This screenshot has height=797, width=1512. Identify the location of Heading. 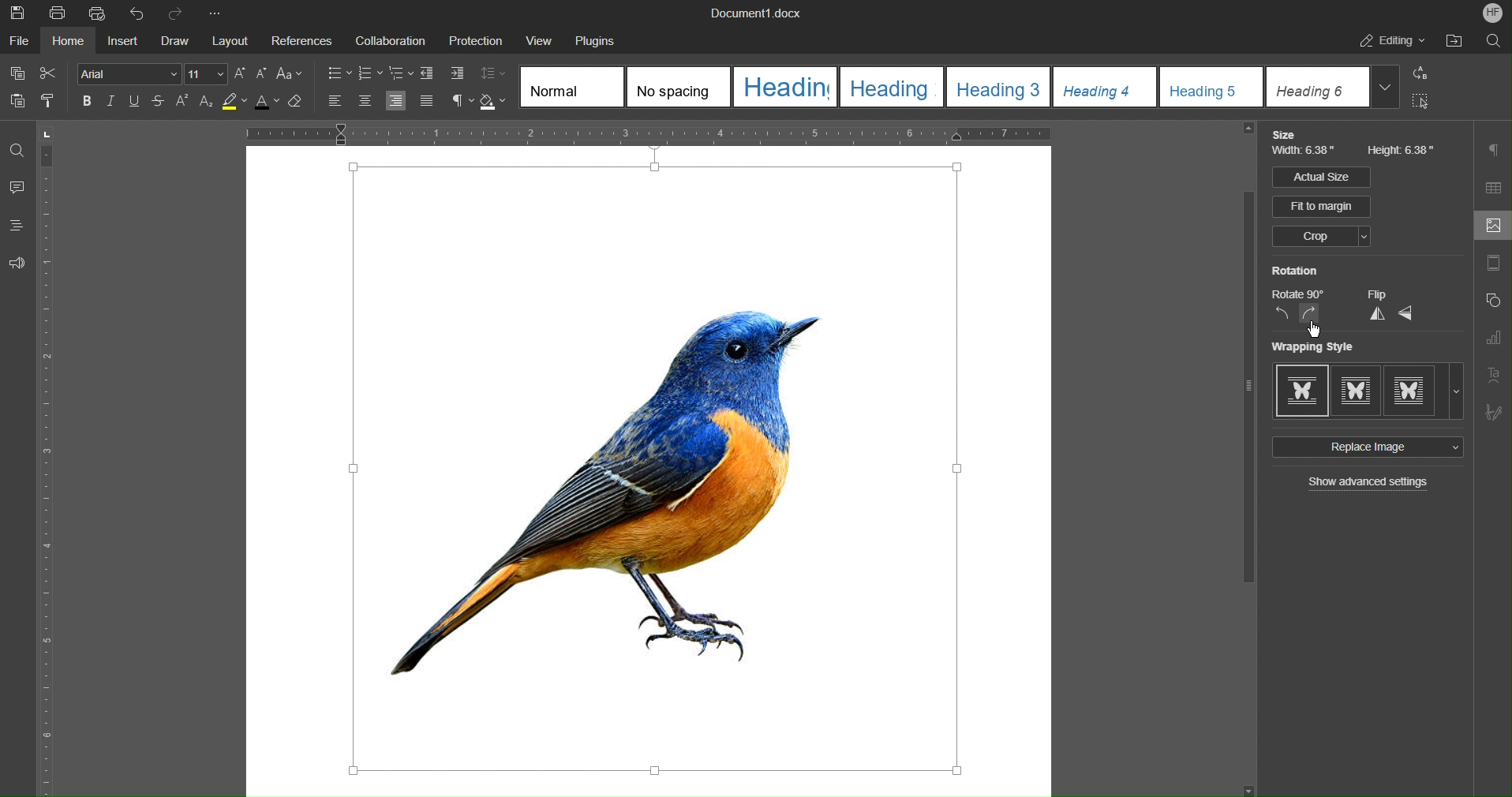
(784, 86).